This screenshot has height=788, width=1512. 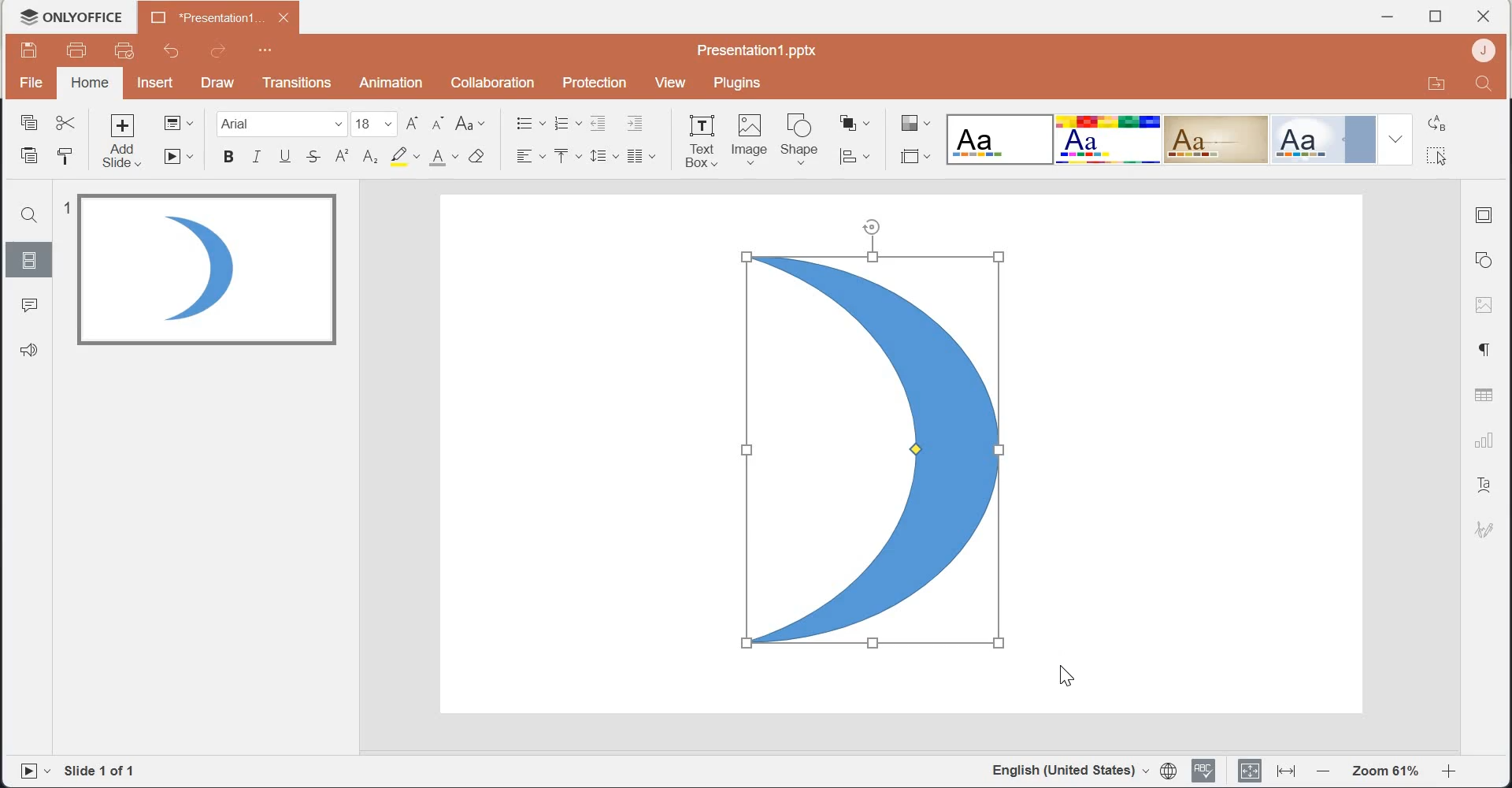 What do you see at coordinates (1488, 395) in the screenshot?
I see `Table ` at bounding box center [1488, 395].